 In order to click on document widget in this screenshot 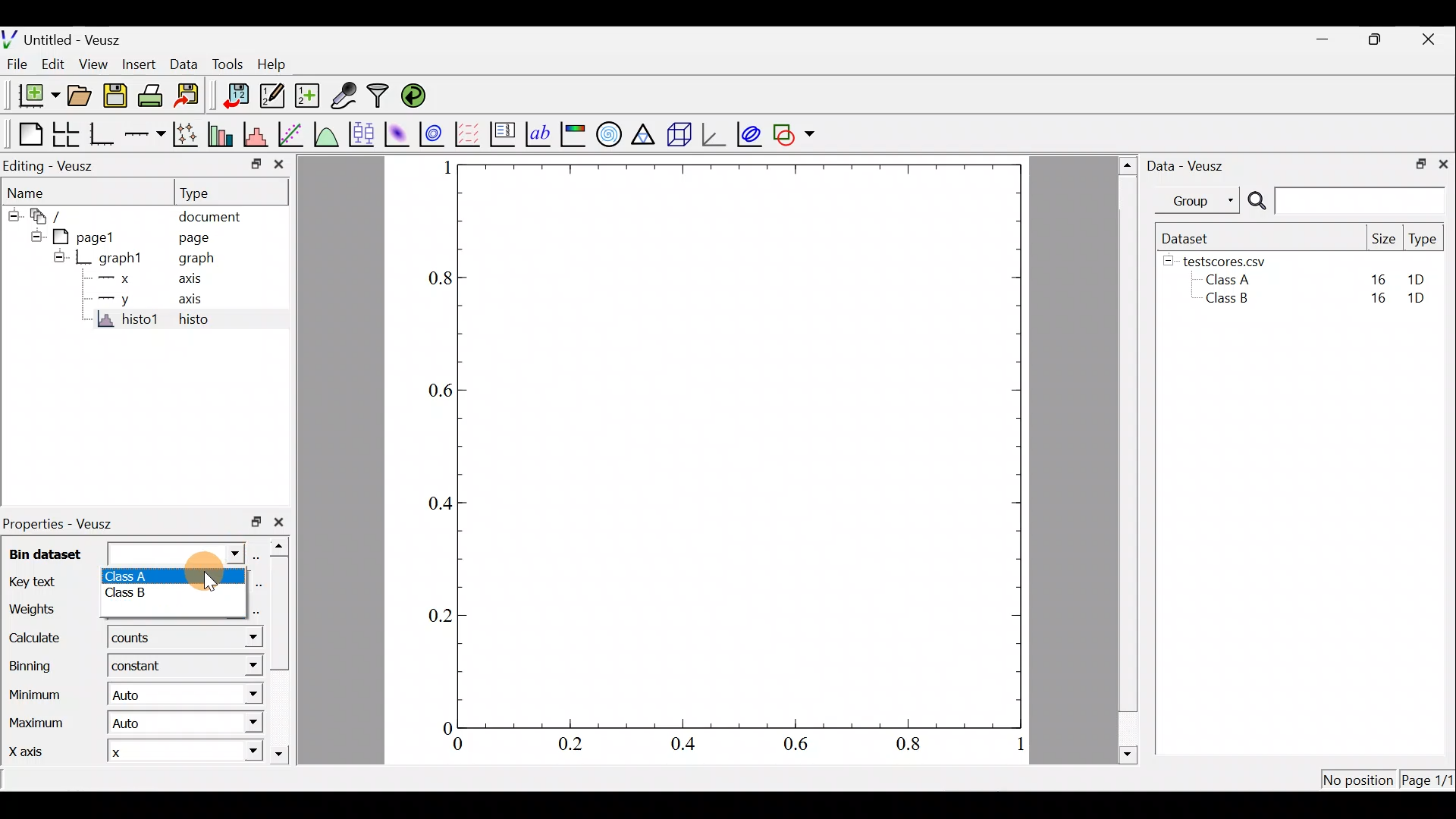, I will do `click(45, 218)`.